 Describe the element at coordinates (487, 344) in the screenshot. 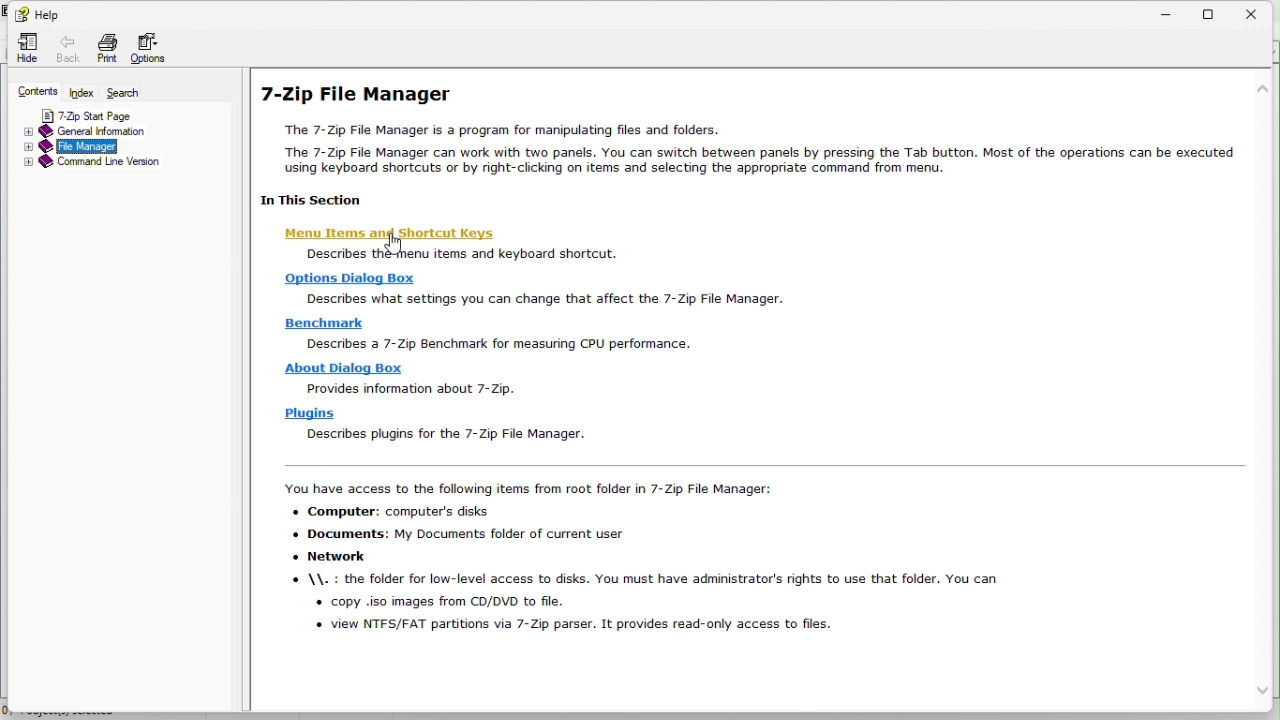

I see `Describes a 7 zip benchmark for measuring CPU performance` at that location.